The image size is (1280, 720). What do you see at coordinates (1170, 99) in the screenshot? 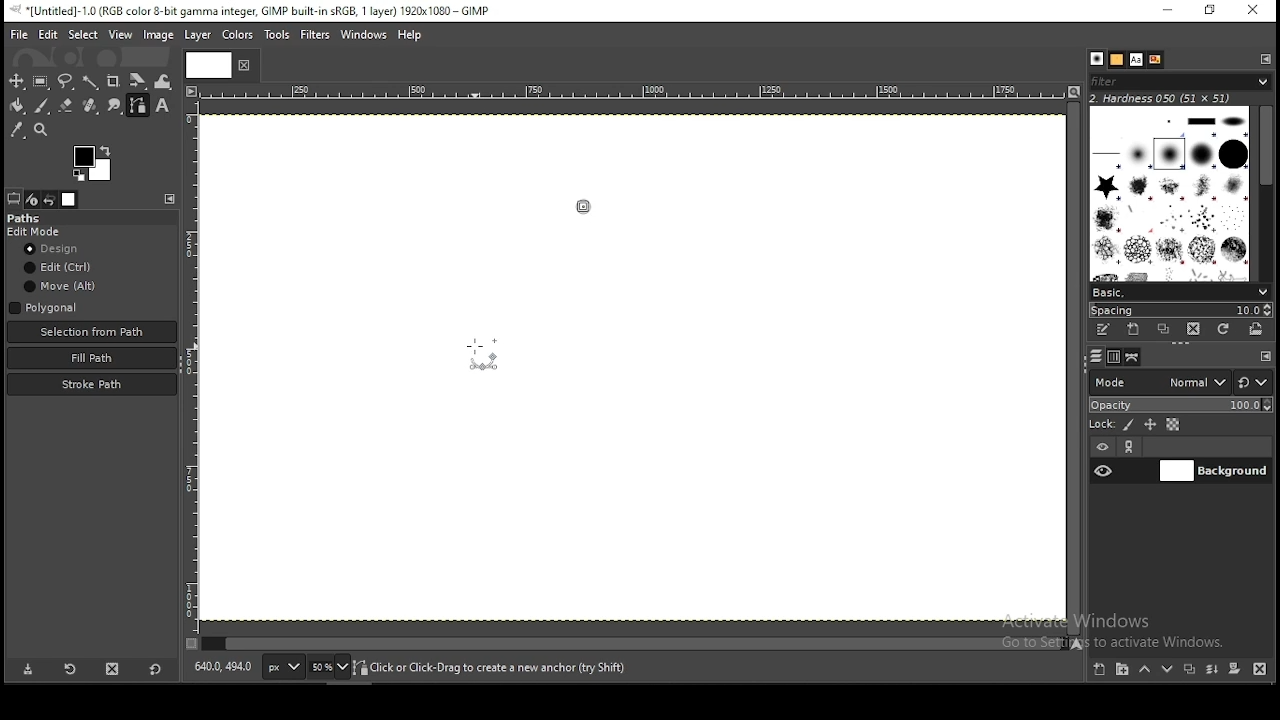
I see `2. hardness 050 (51x51)` at bounding box center [1170, 99].